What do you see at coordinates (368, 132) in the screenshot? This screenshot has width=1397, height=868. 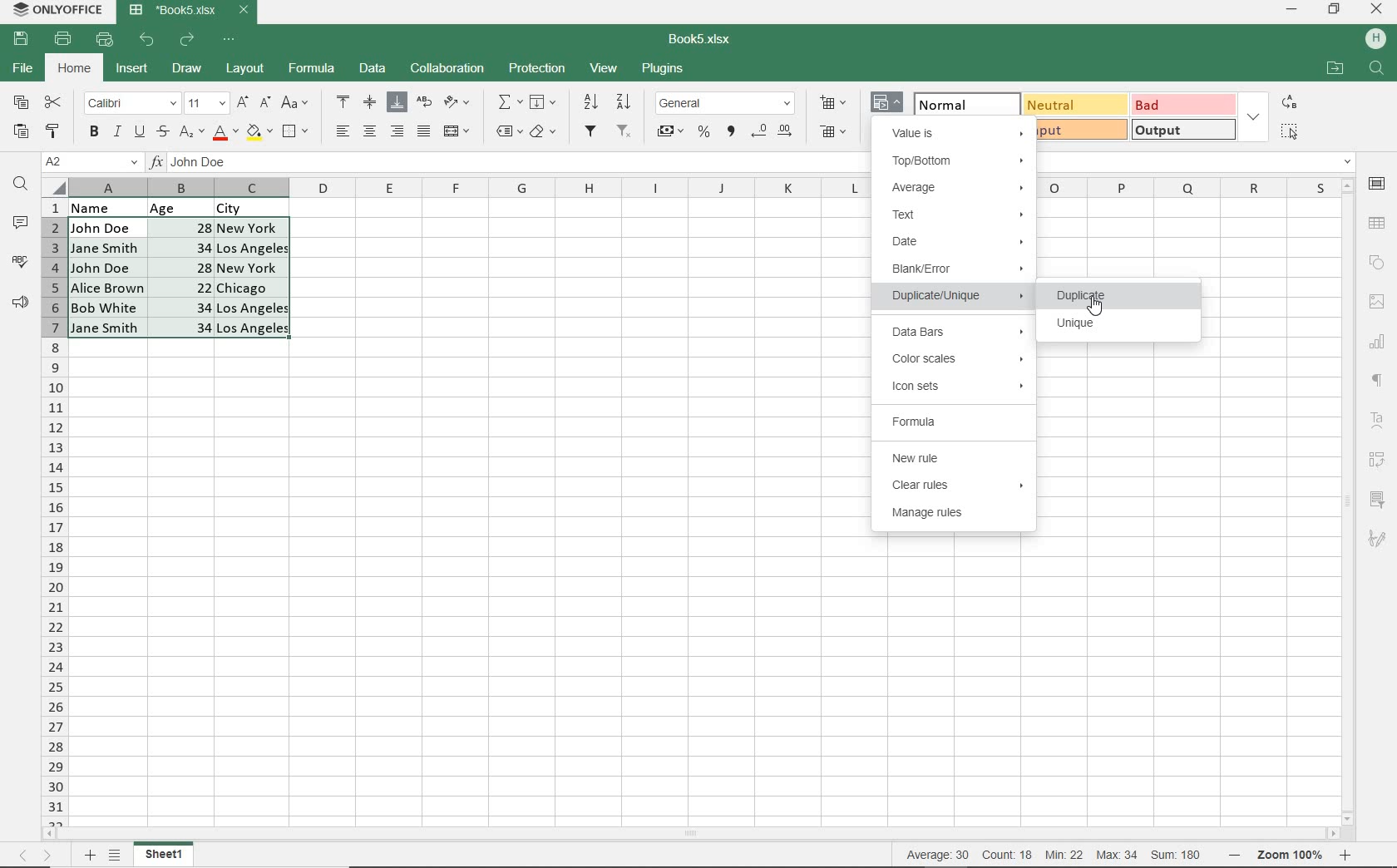 I see `ALIGN CENTER` at bounding box center [368, 132].